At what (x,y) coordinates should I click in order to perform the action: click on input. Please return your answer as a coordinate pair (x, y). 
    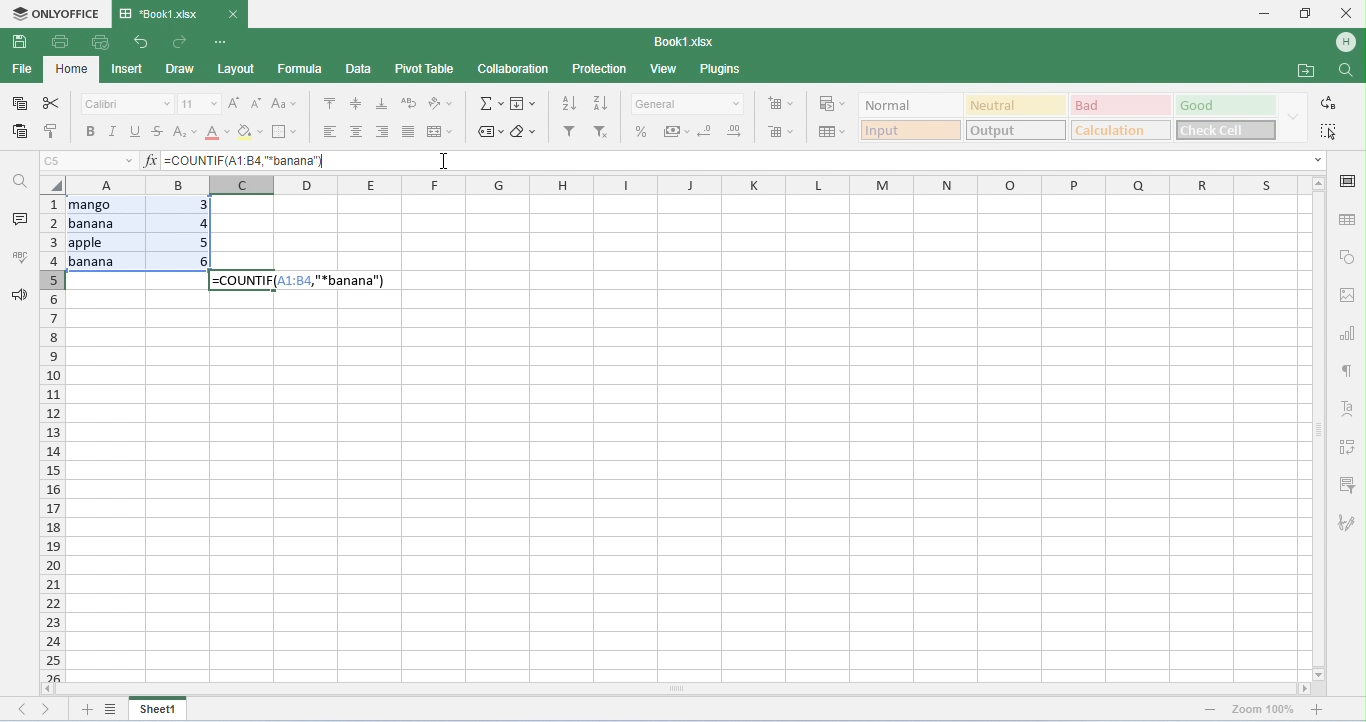
    Looking at the image, I should click on (910, 131).